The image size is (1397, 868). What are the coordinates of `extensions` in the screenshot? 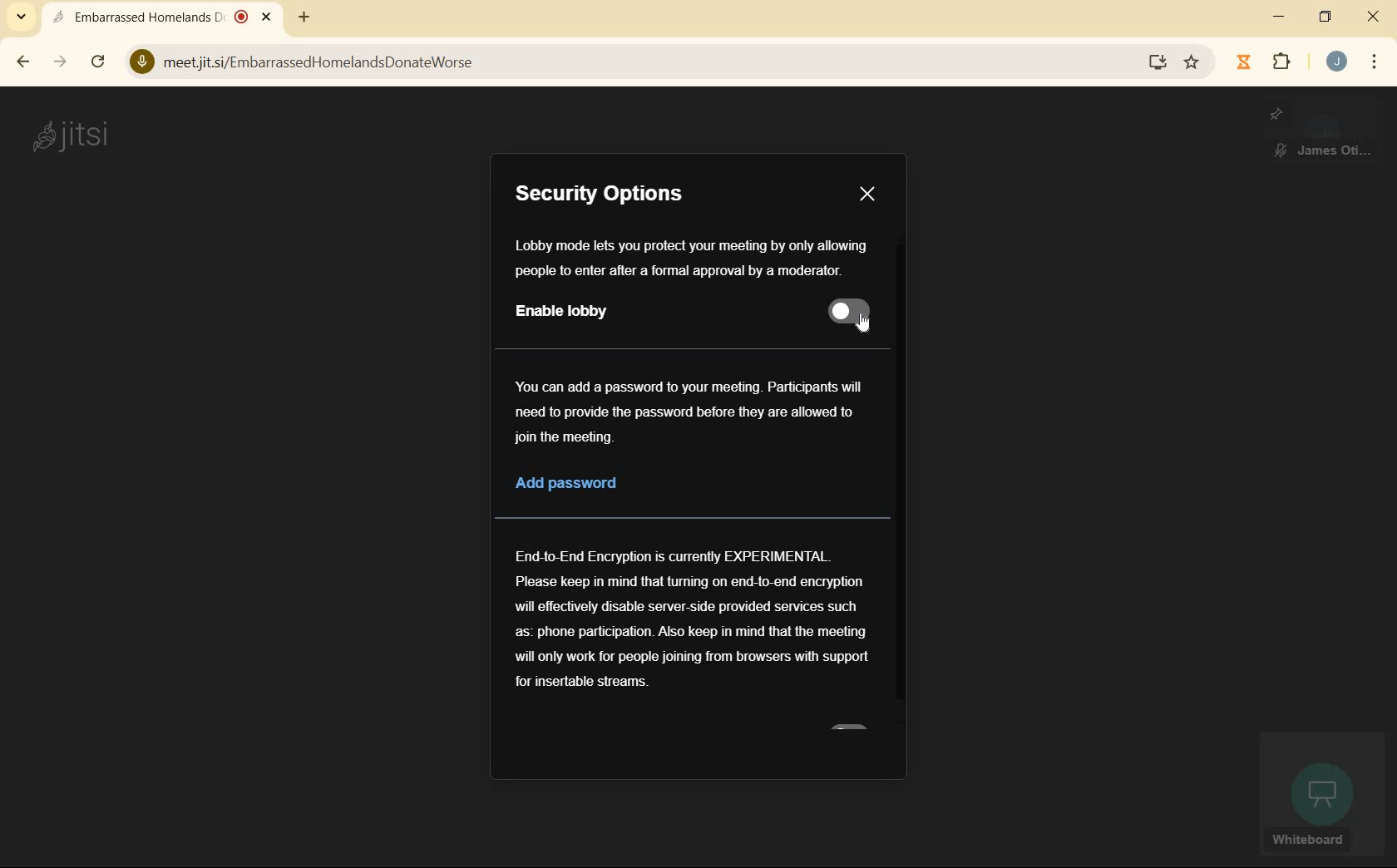 It's located at (1281, 63).